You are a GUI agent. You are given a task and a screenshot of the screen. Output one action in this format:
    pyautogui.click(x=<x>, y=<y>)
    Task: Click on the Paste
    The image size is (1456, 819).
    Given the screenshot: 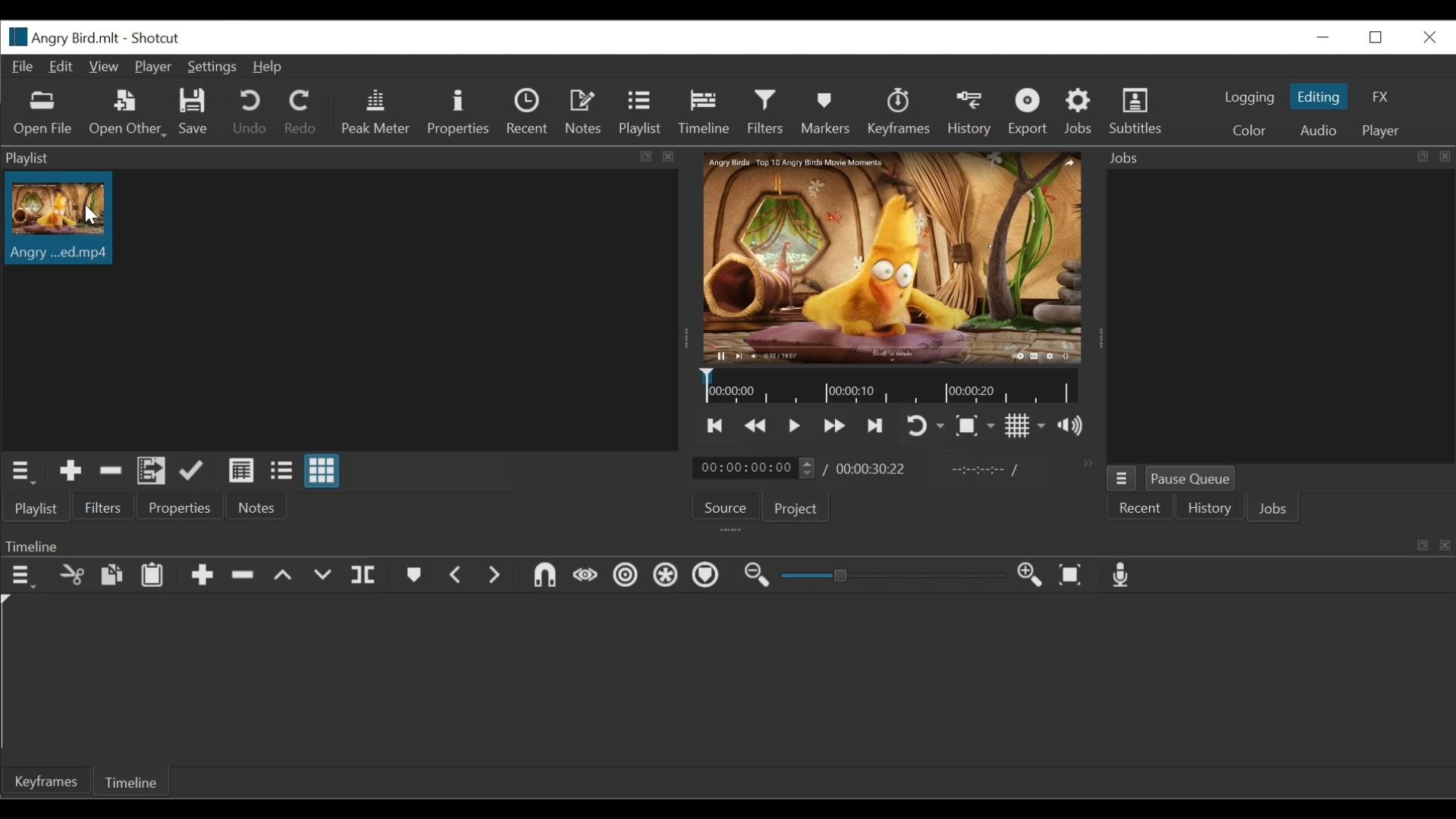 What is the action you would take?
    pyautogui.click(x=152, y=577)
    